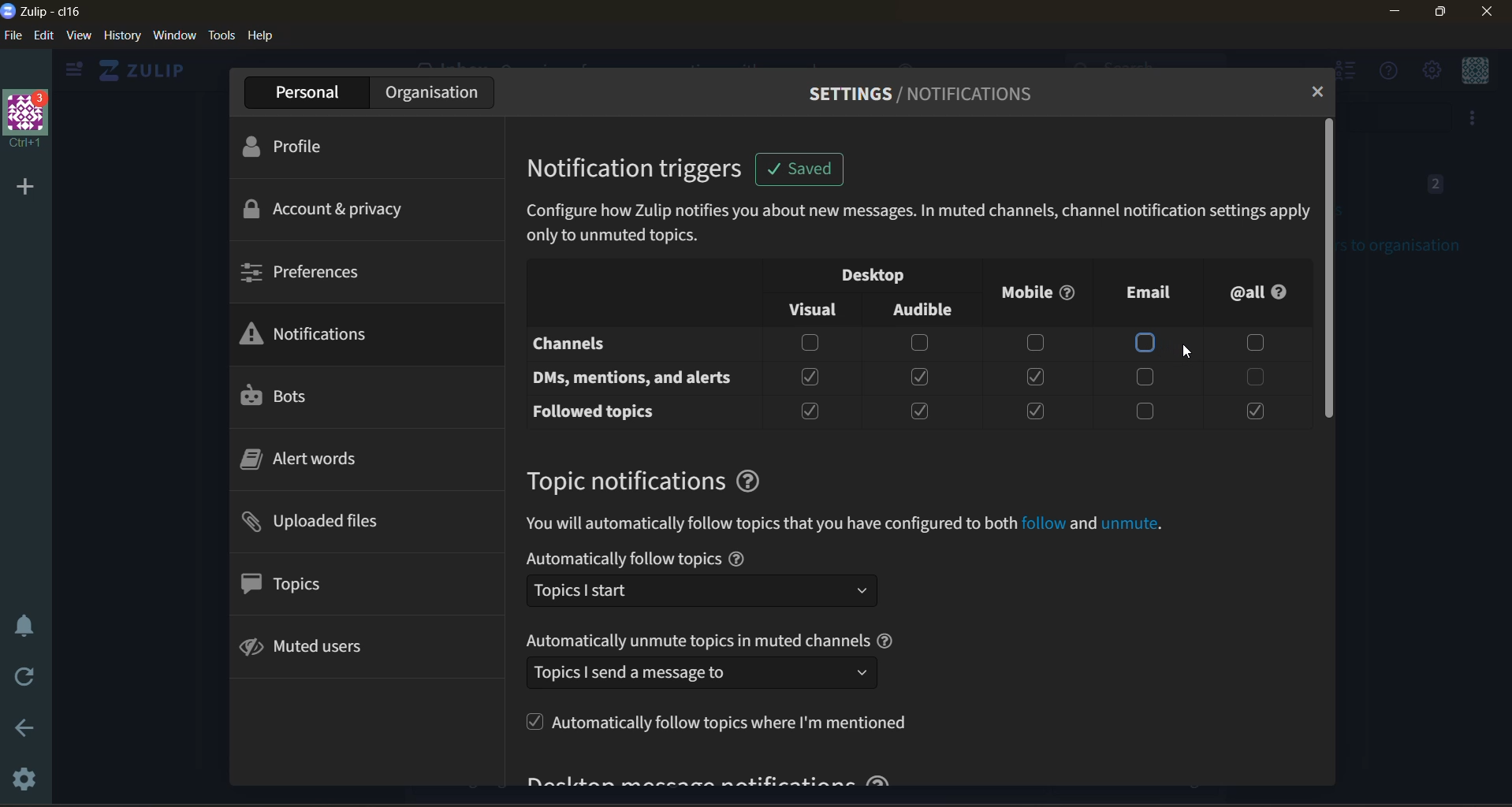 This screenshot has height=807, width=1512. I want to click on cursor, so click(1190, 351).